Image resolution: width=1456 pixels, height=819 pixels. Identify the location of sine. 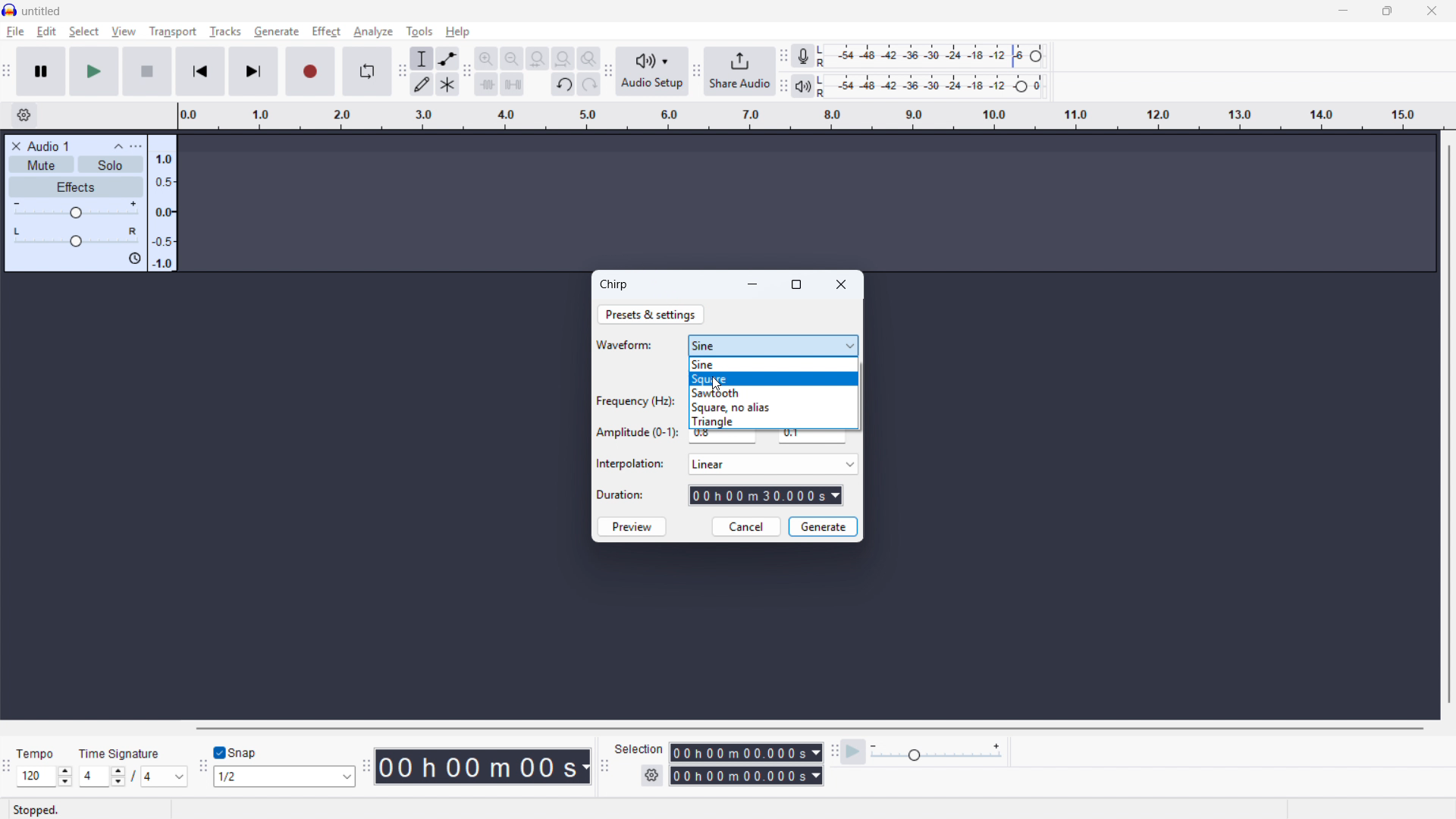
(775, 365).